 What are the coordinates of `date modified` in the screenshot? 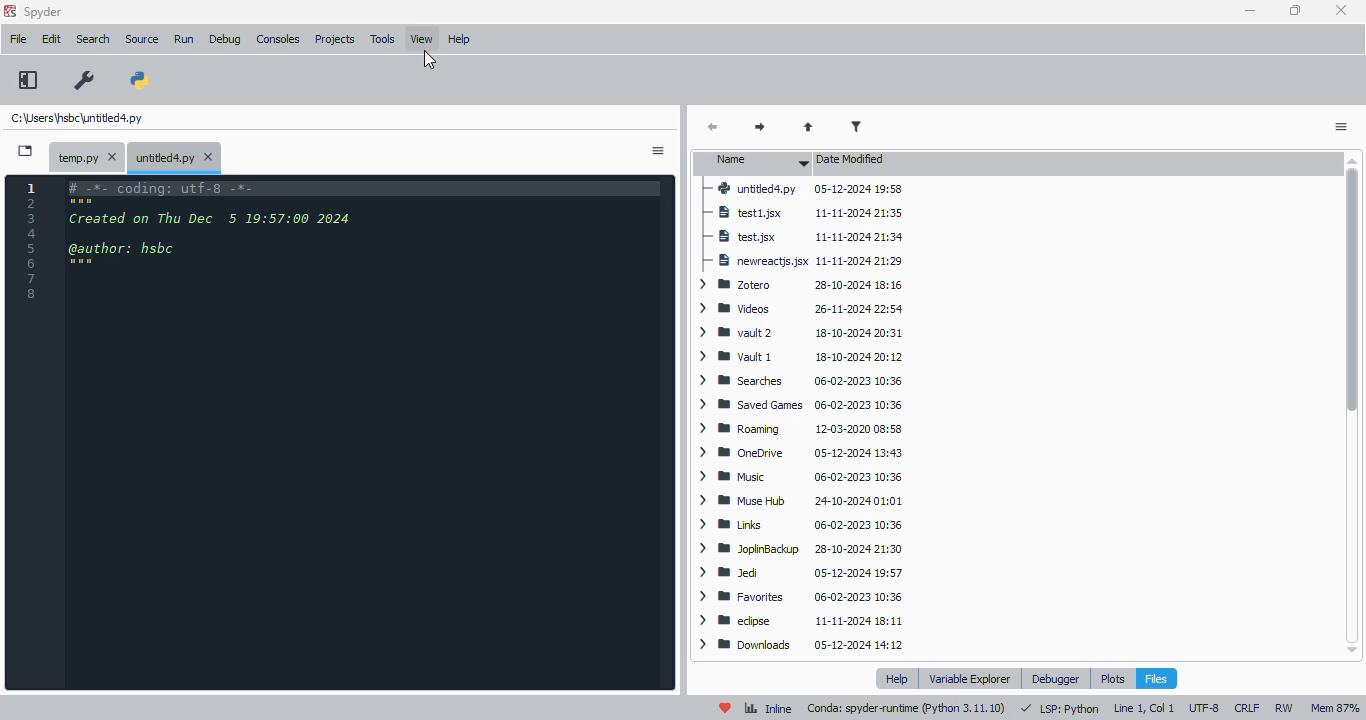 It's located at (851, 158).